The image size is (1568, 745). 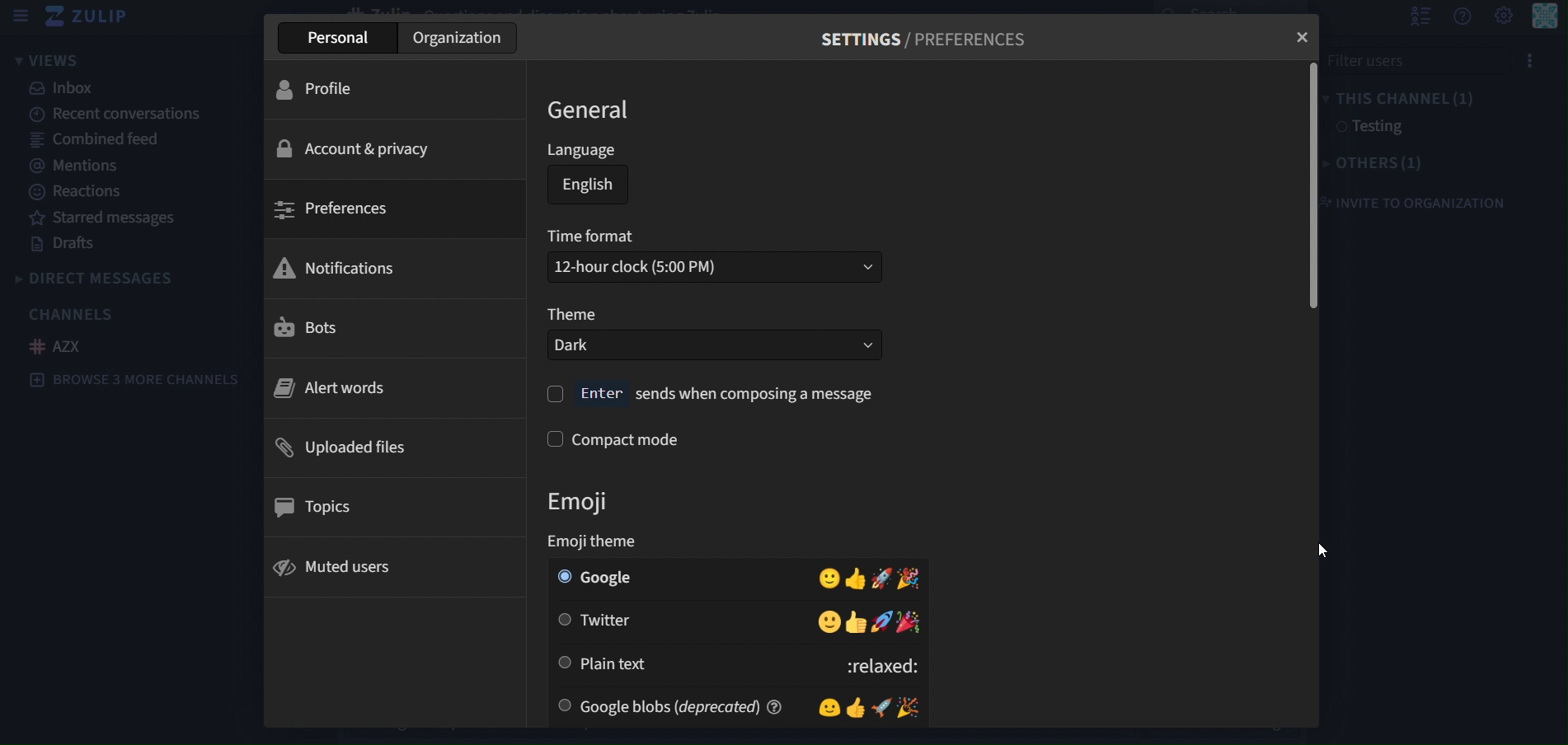 I want to click on recent conversations, so click(x=120, y=114).